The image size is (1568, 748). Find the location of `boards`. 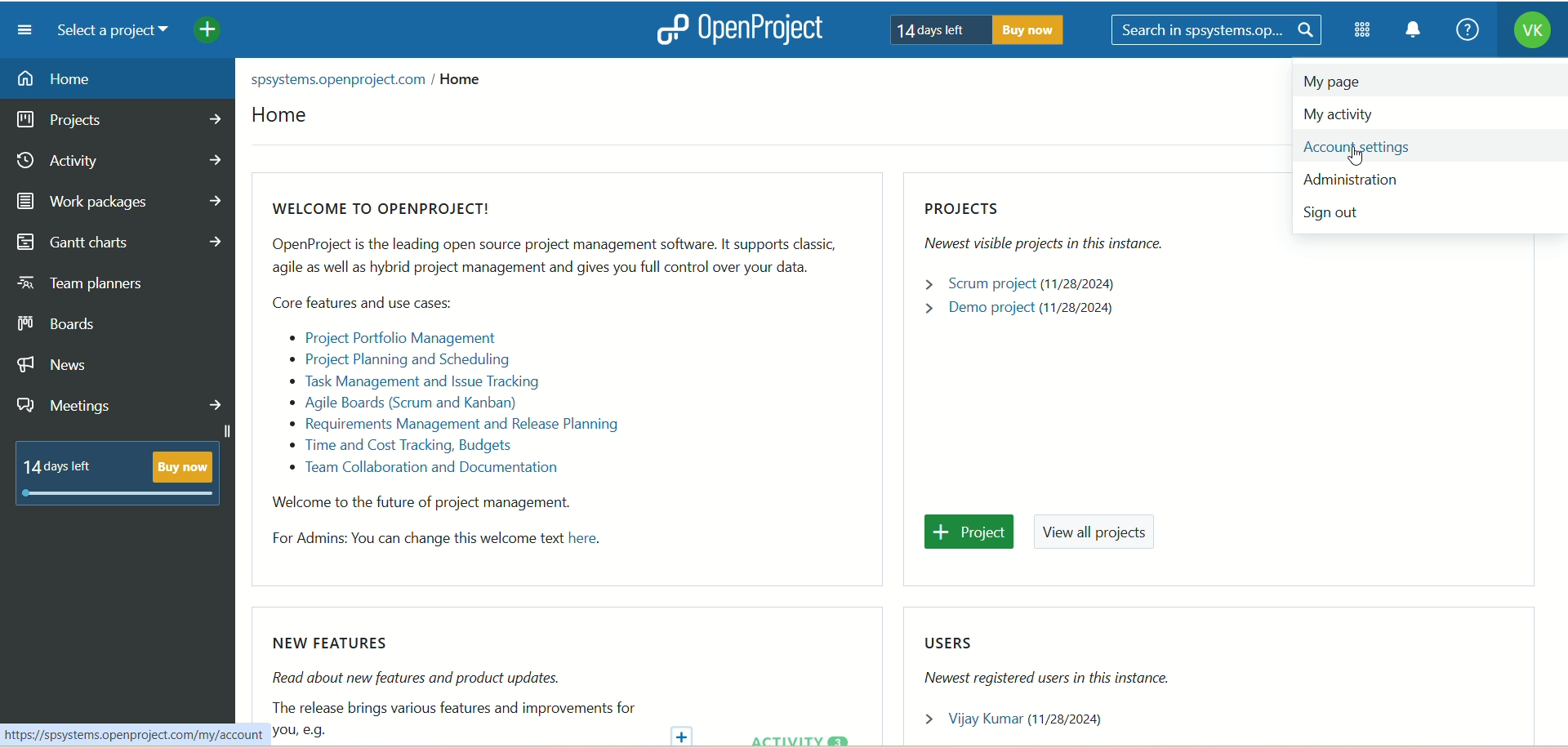

boards is located at coordinates (67, 323).